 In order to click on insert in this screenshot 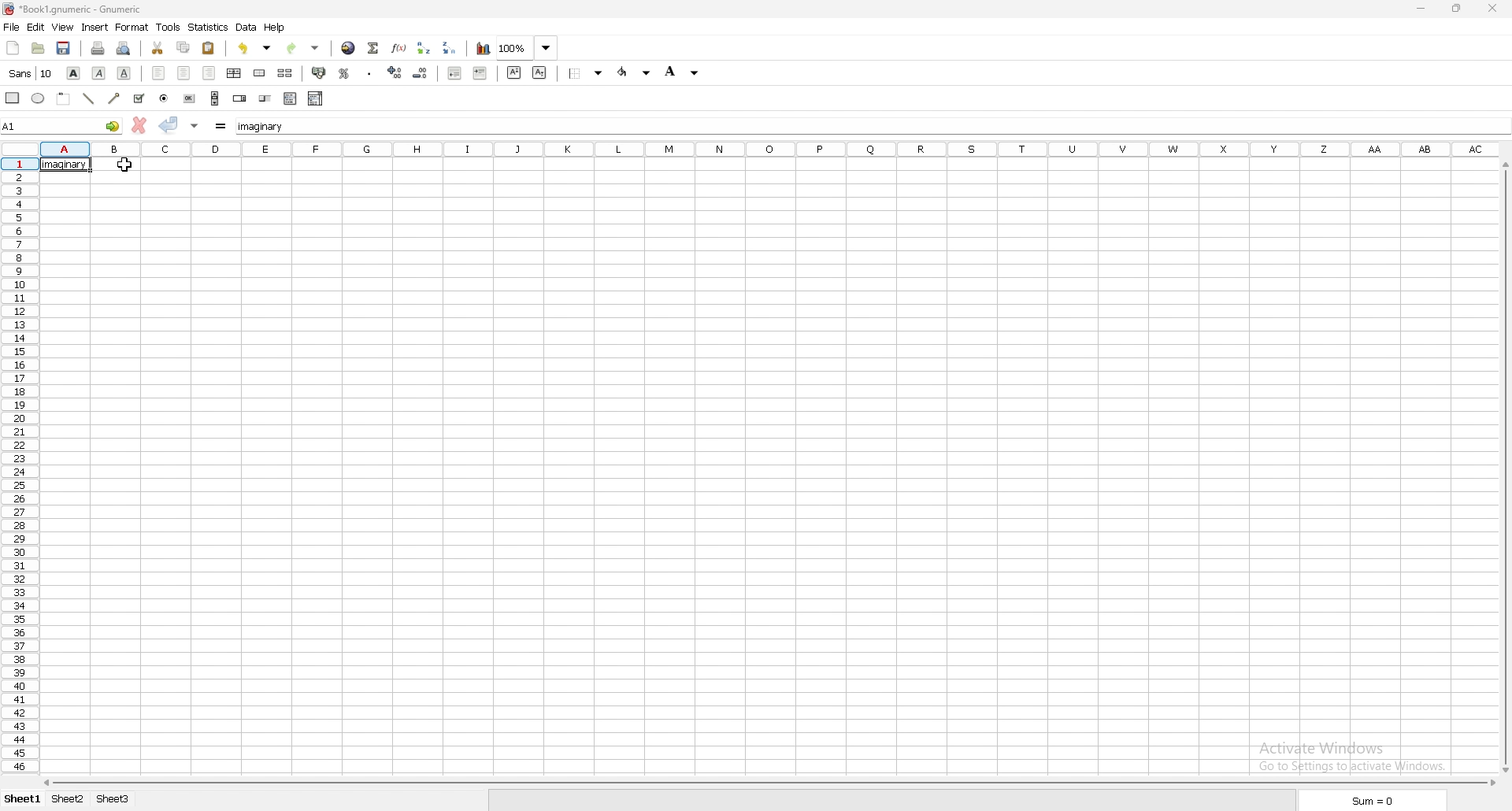, I will do `click(95, 27)`.